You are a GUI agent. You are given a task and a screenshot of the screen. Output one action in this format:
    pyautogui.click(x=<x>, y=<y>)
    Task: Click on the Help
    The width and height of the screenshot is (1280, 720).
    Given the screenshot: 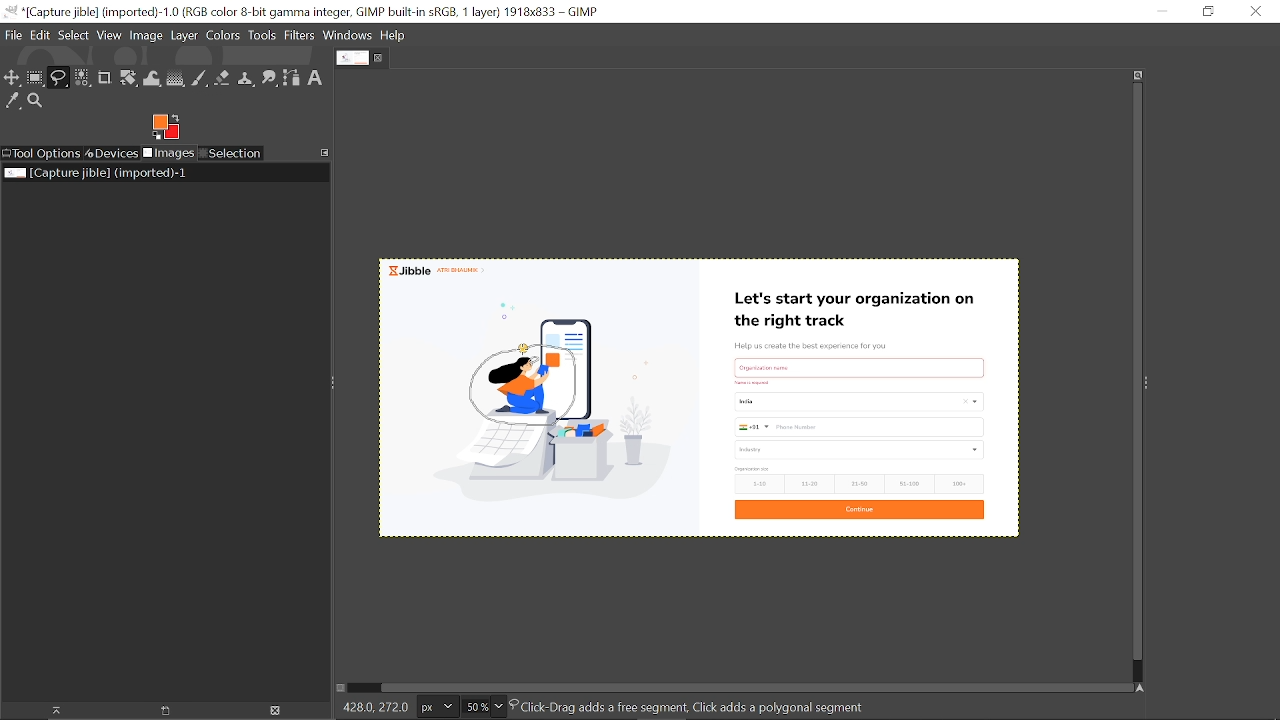 What is the action you would take?
    pyautogui.click(x=394, y=36)
    